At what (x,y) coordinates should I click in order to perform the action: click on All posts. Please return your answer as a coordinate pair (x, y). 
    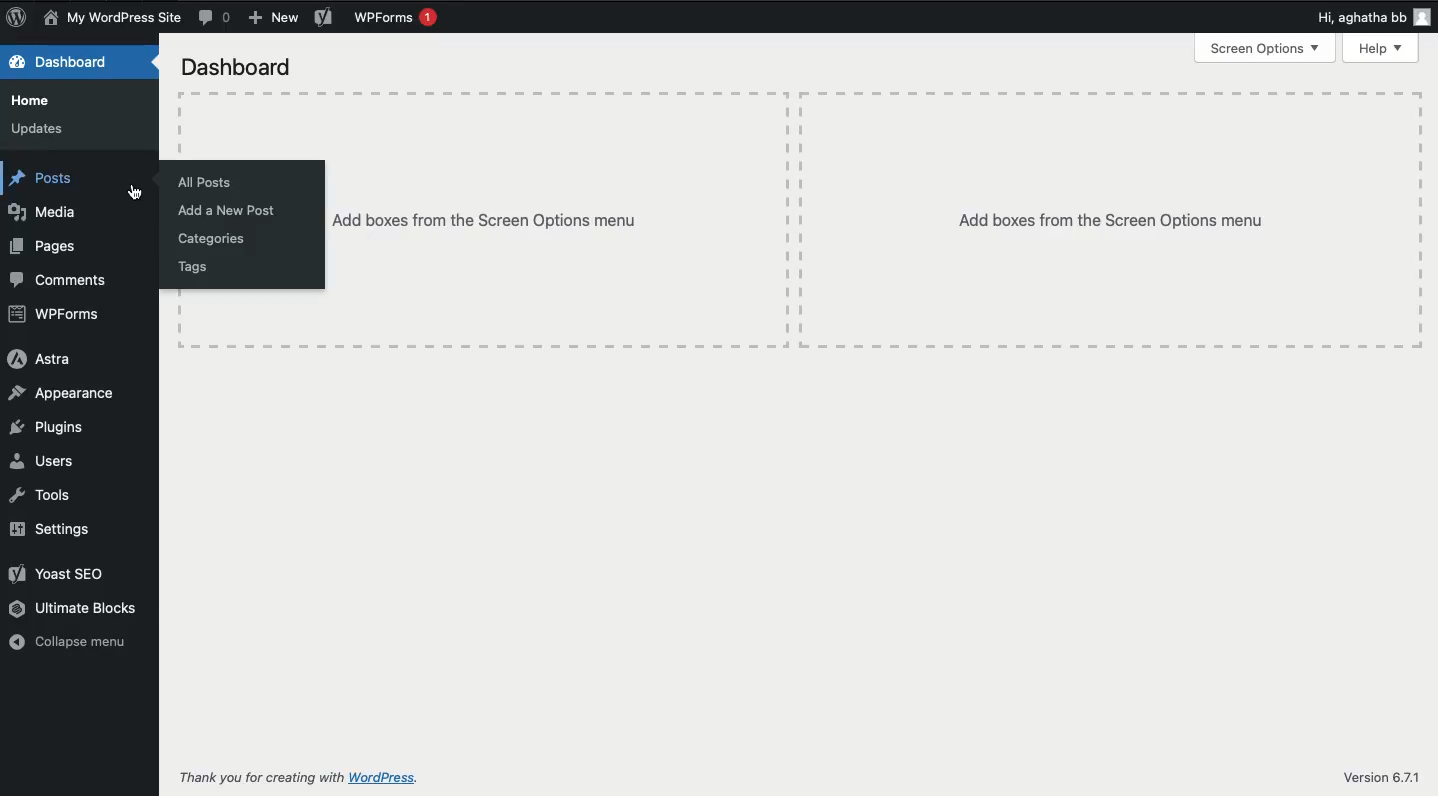
    Looking at the image, I should click on (209, 182).